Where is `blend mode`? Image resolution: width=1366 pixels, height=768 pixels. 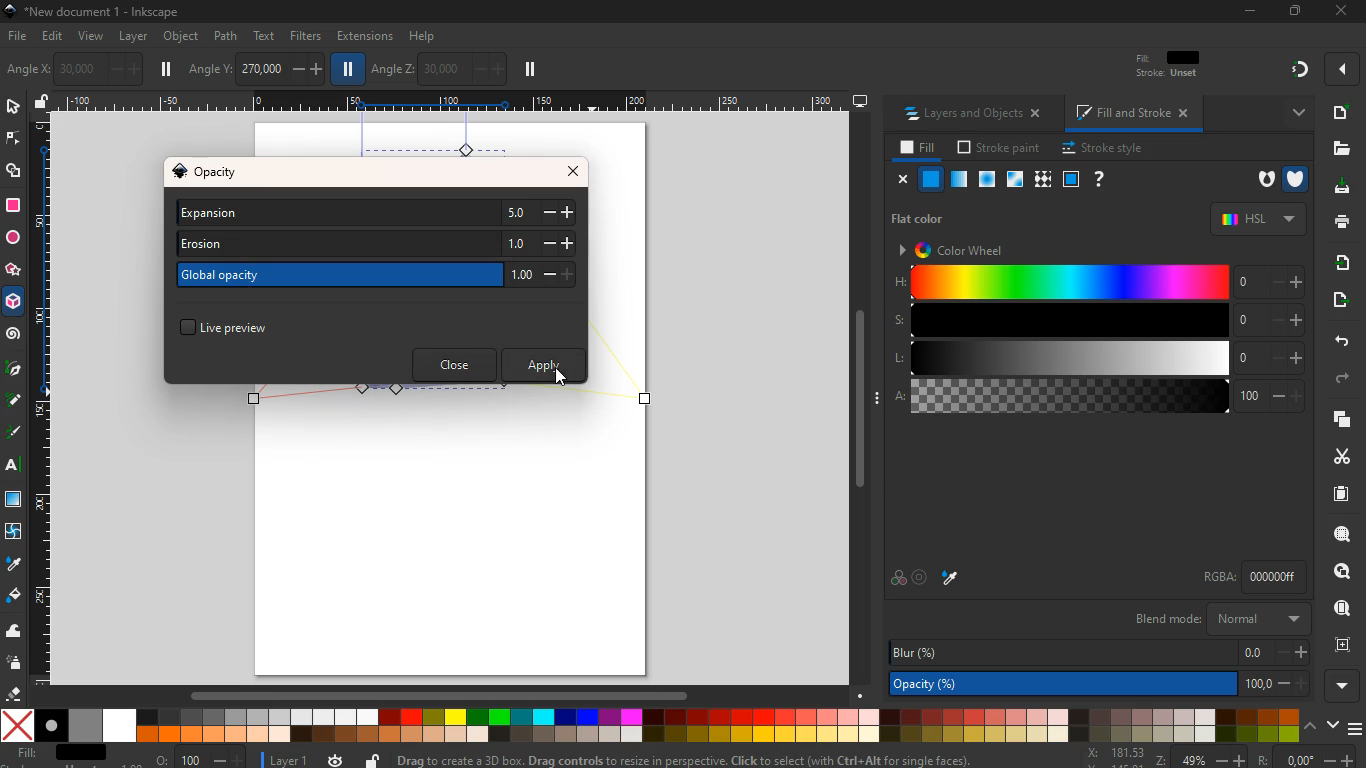 blend mode is located at coordinates (1218, 620).